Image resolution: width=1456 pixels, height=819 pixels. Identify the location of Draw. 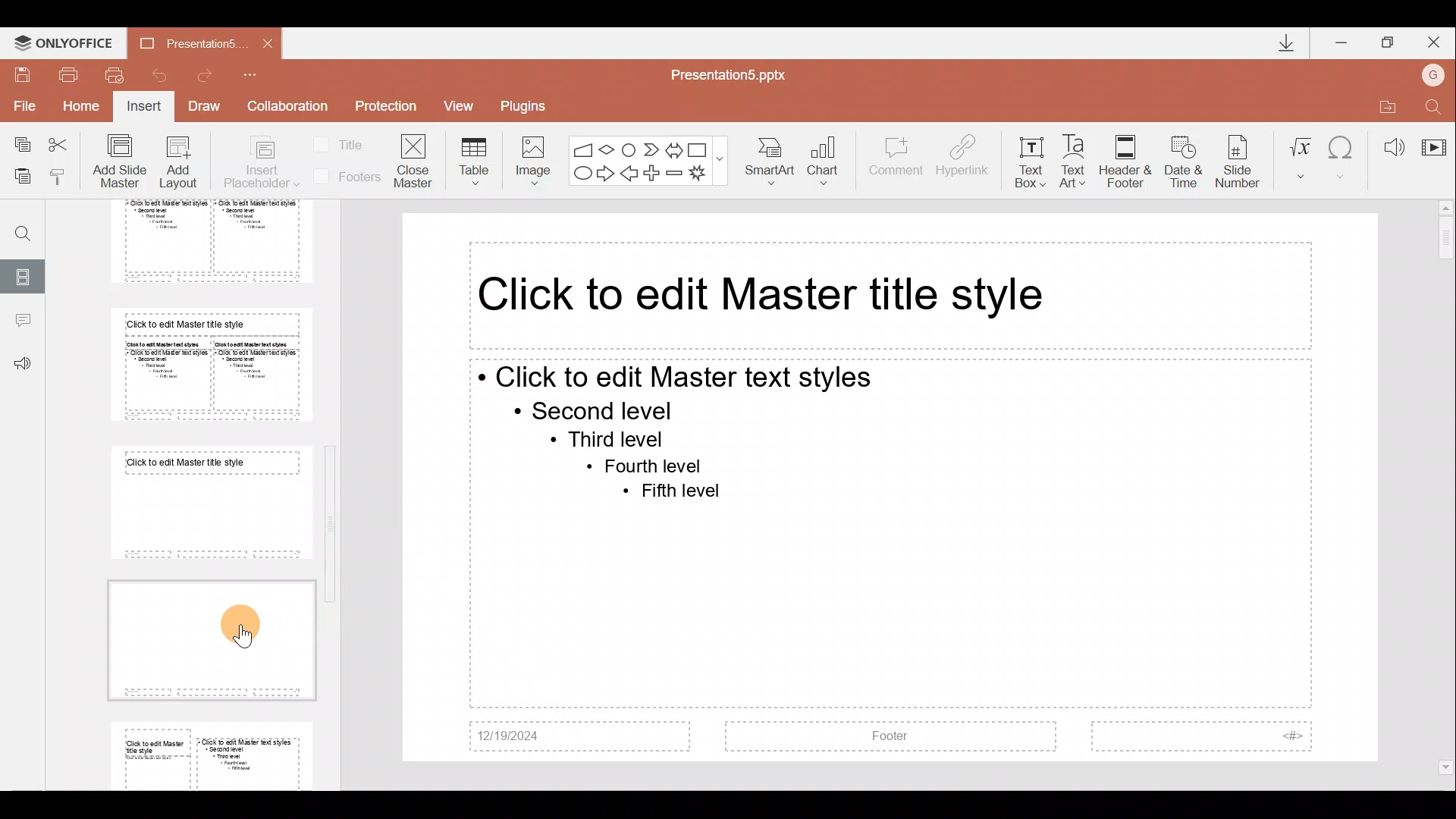
(209, 108).